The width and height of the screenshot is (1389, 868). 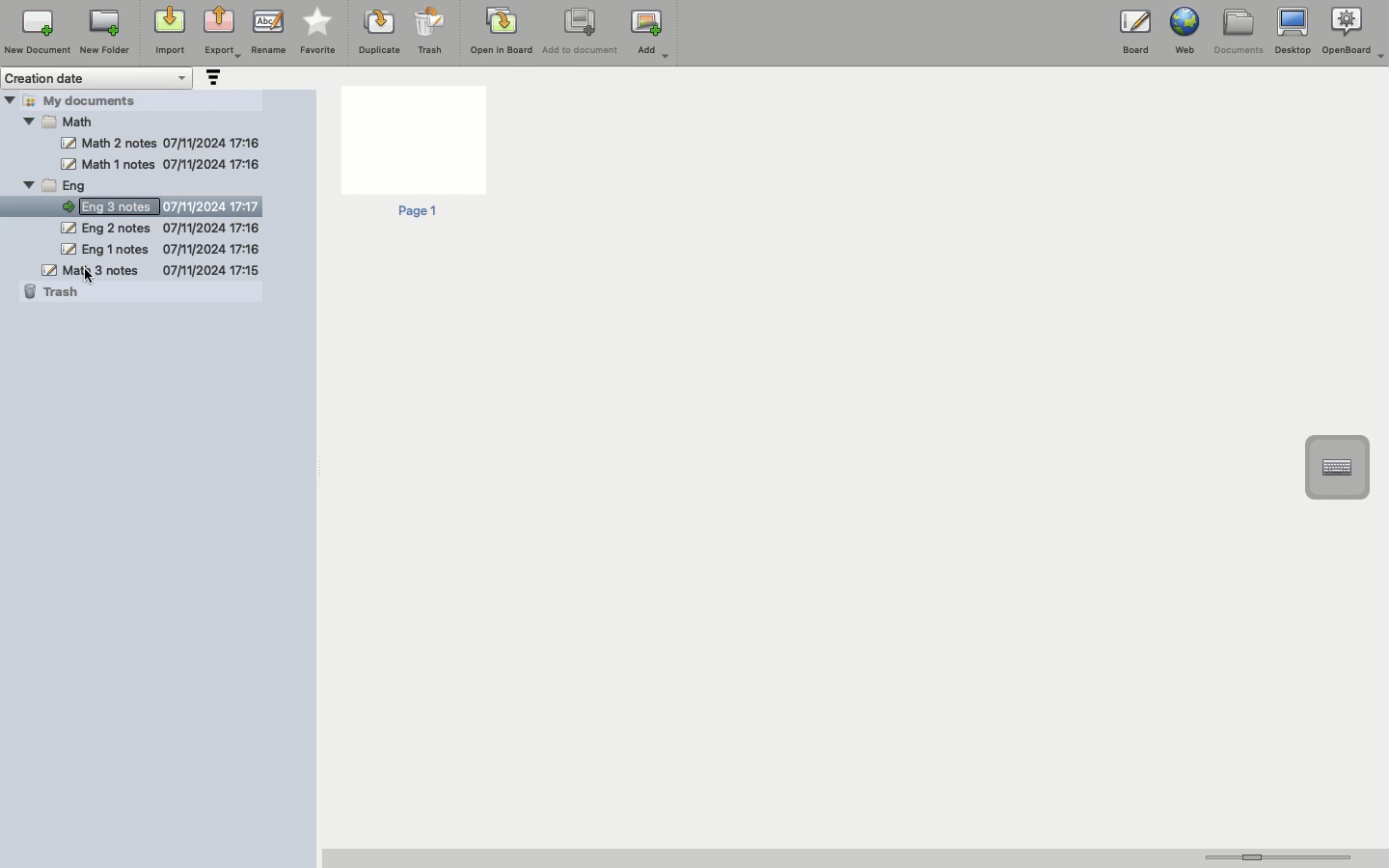 I want to click on Documents, so click(x=1238, y=32).